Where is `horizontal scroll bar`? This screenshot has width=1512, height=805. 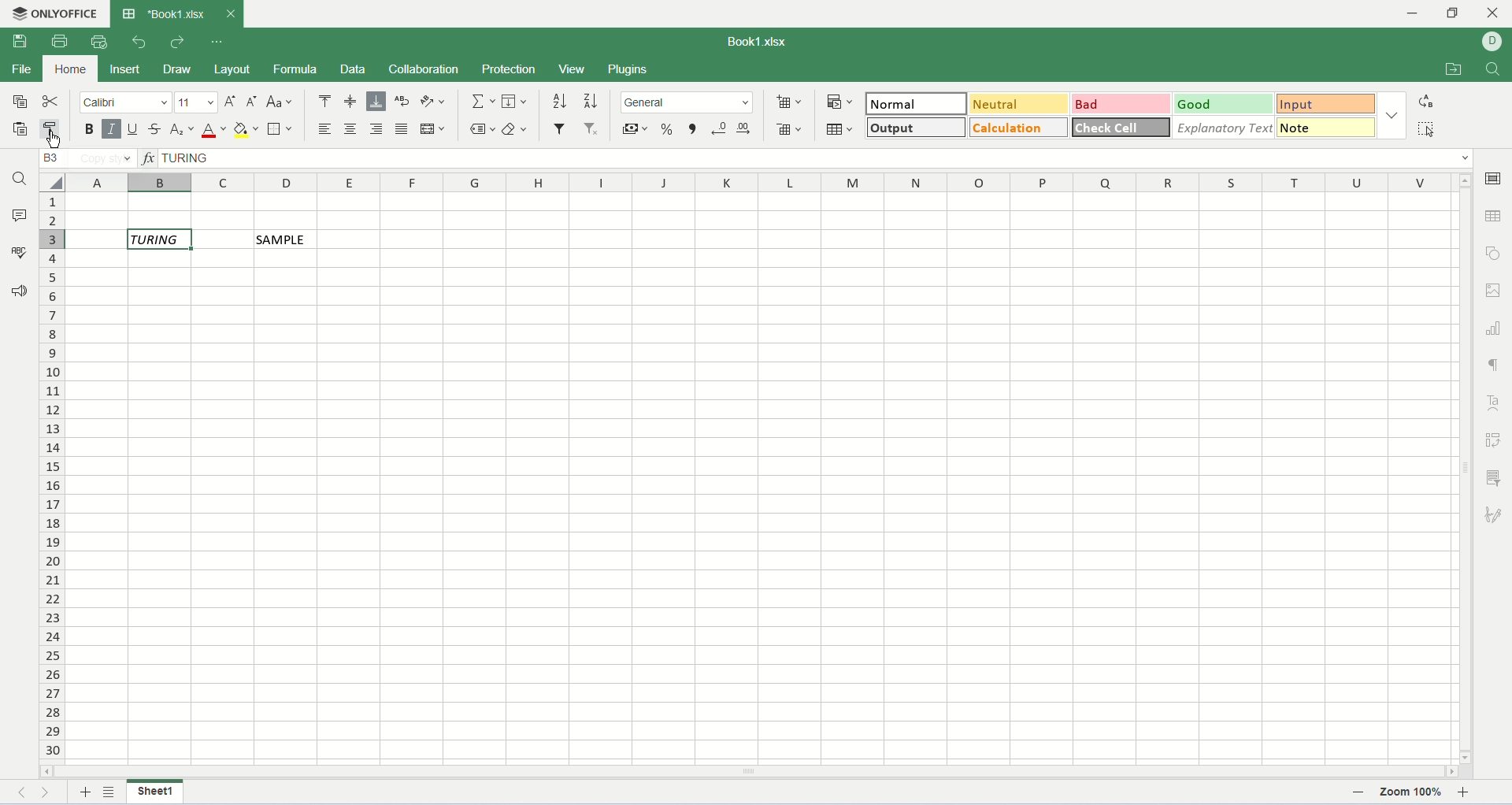 horizontal scroll bar is located at coordinates (748, 772).